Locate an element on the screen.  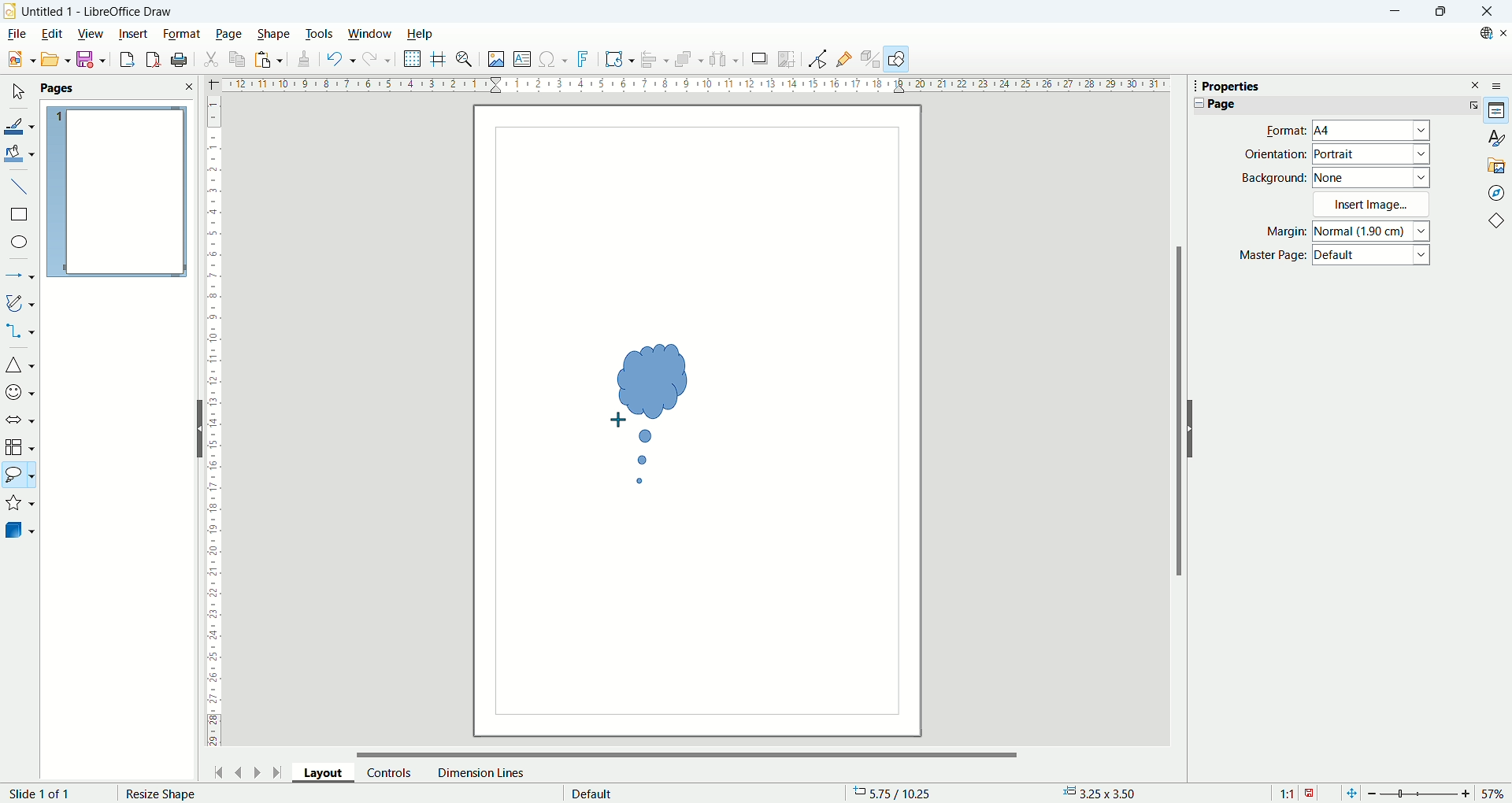
Orientaion is located at coordinates (1275, 154).